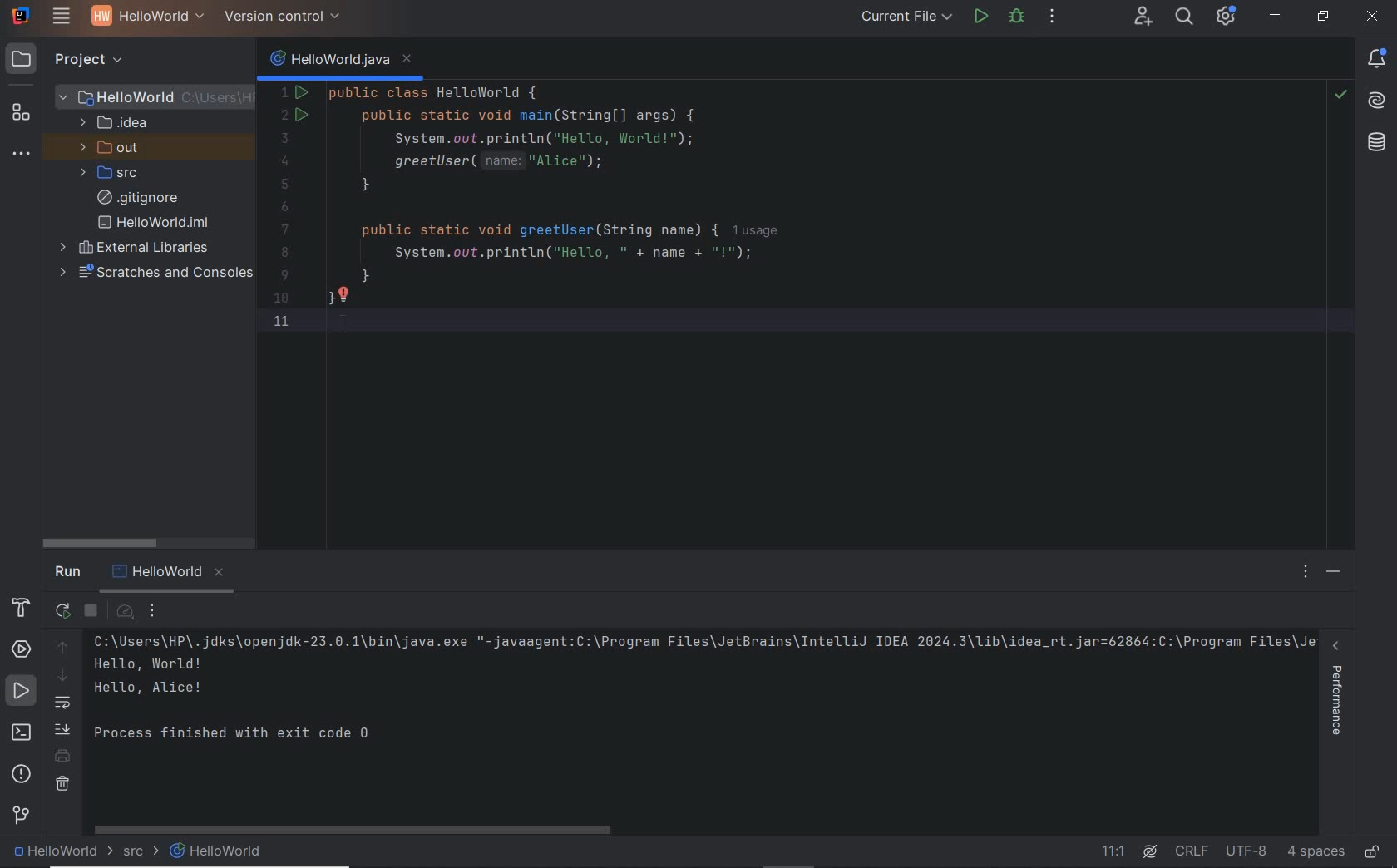 Image resolution: width=1397 pixels, height=868 pixels. Describe the element at coordinates (110, 124) in the screenshot. I see `.idea (folder)` at that location.